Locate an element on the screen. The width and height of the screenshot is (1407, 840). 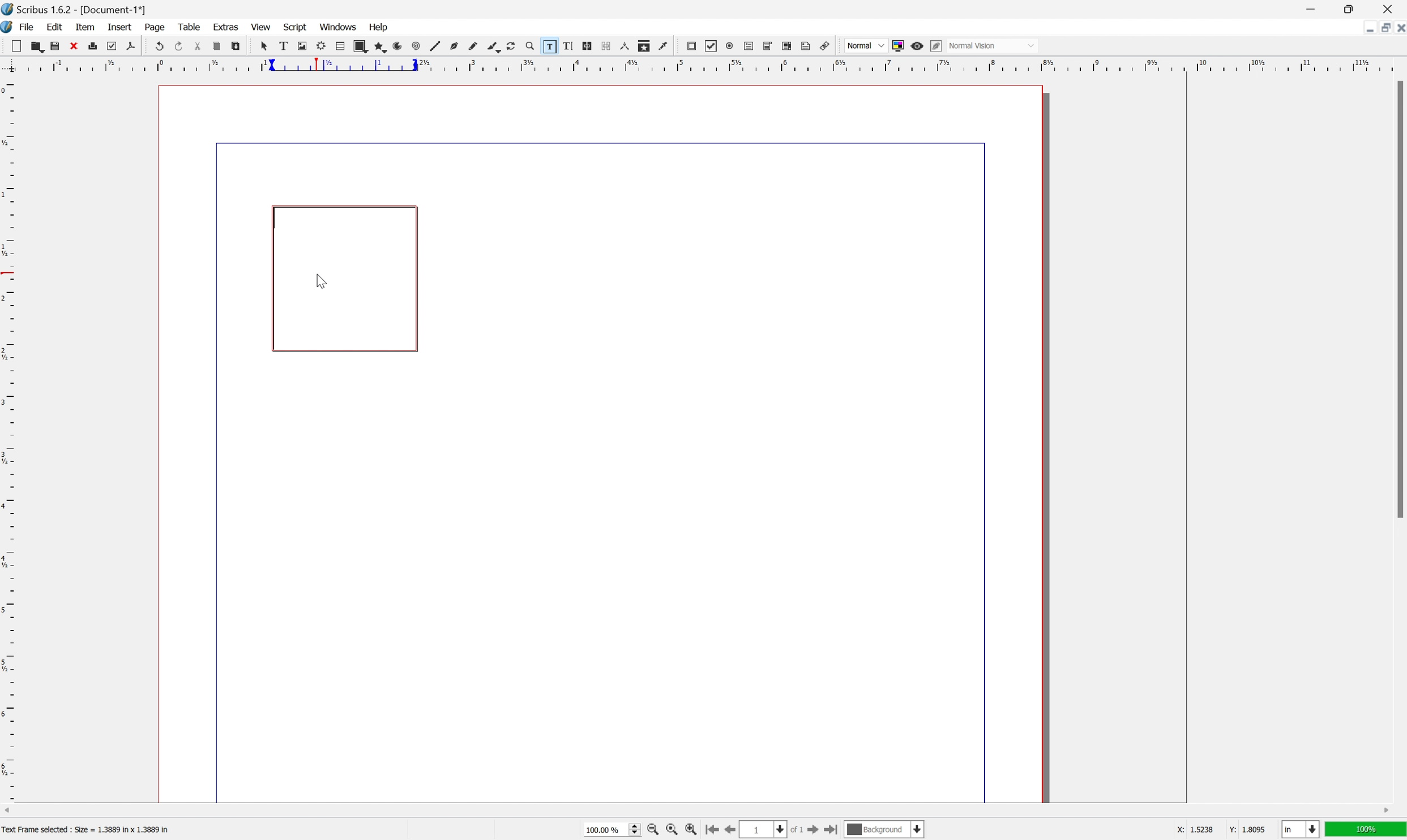
zoom to 100% is located at coordinates (669, 830).